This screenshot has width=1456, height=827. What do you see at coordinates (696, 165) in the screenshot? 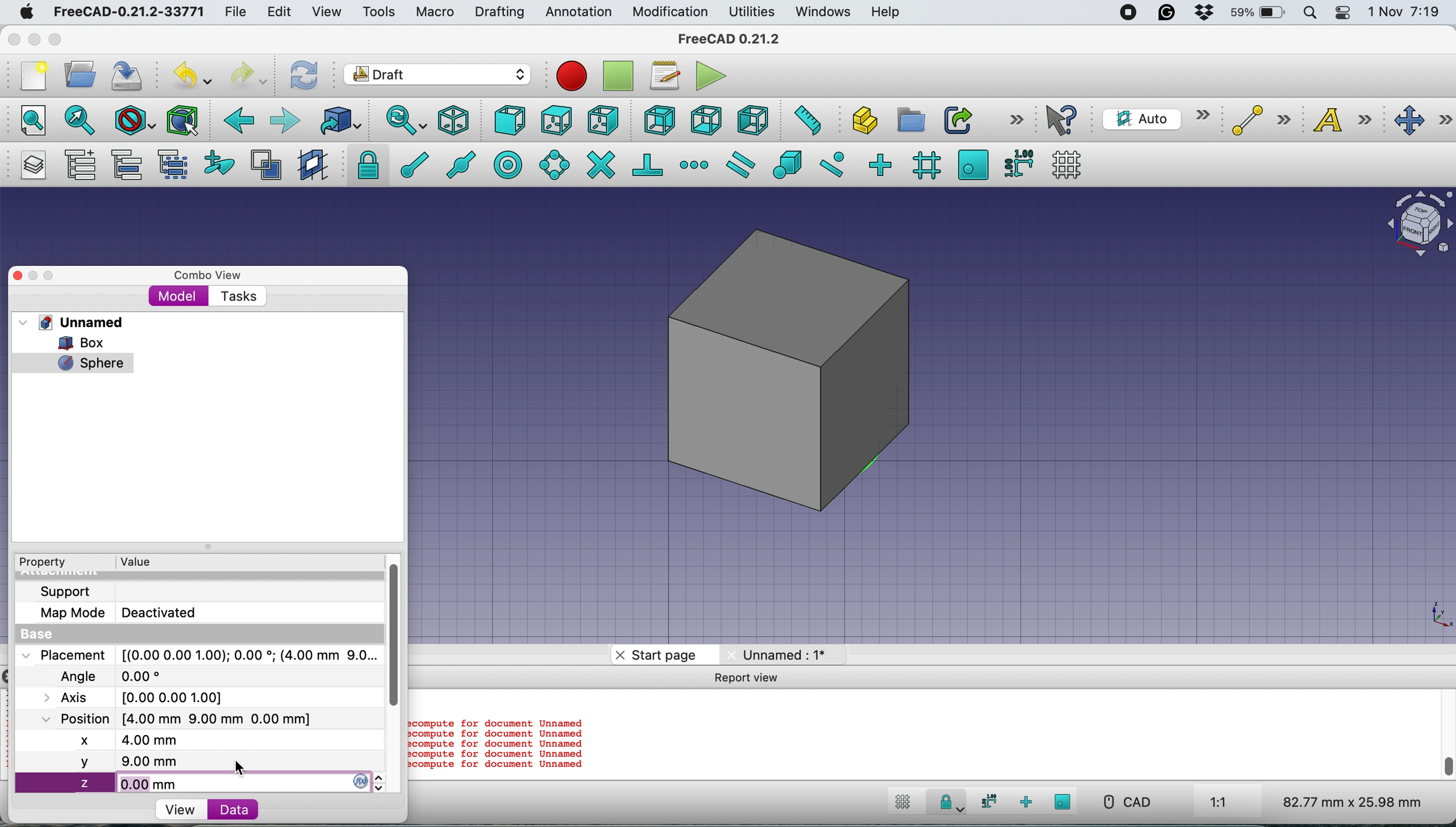
I see `snap extension` at bounding box center [696, 165].